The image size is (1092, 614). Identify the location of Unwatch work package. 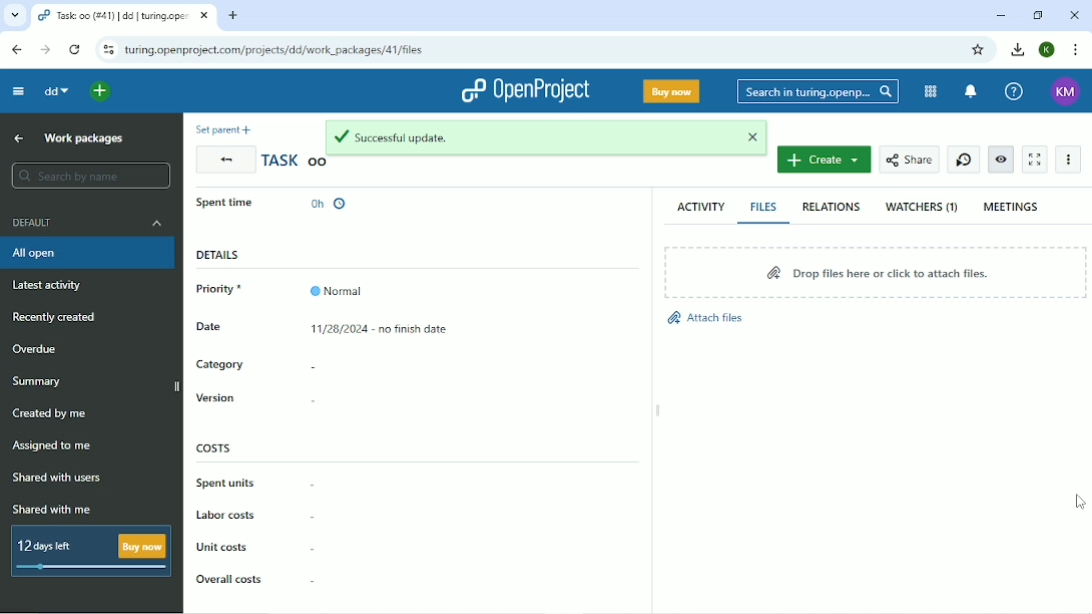
(1002, 160).